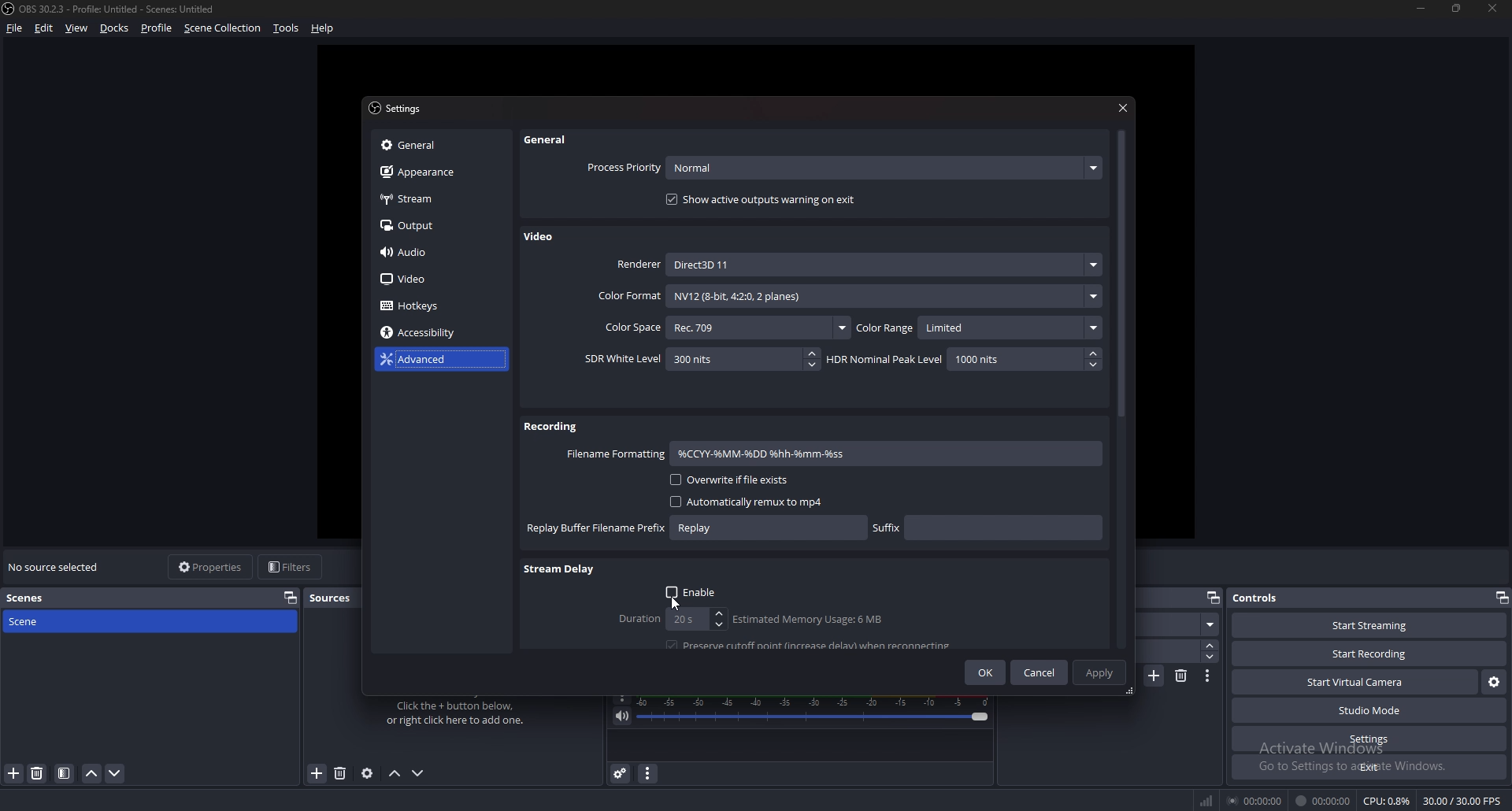  I want to click on Stream delay, so click(560, 571).